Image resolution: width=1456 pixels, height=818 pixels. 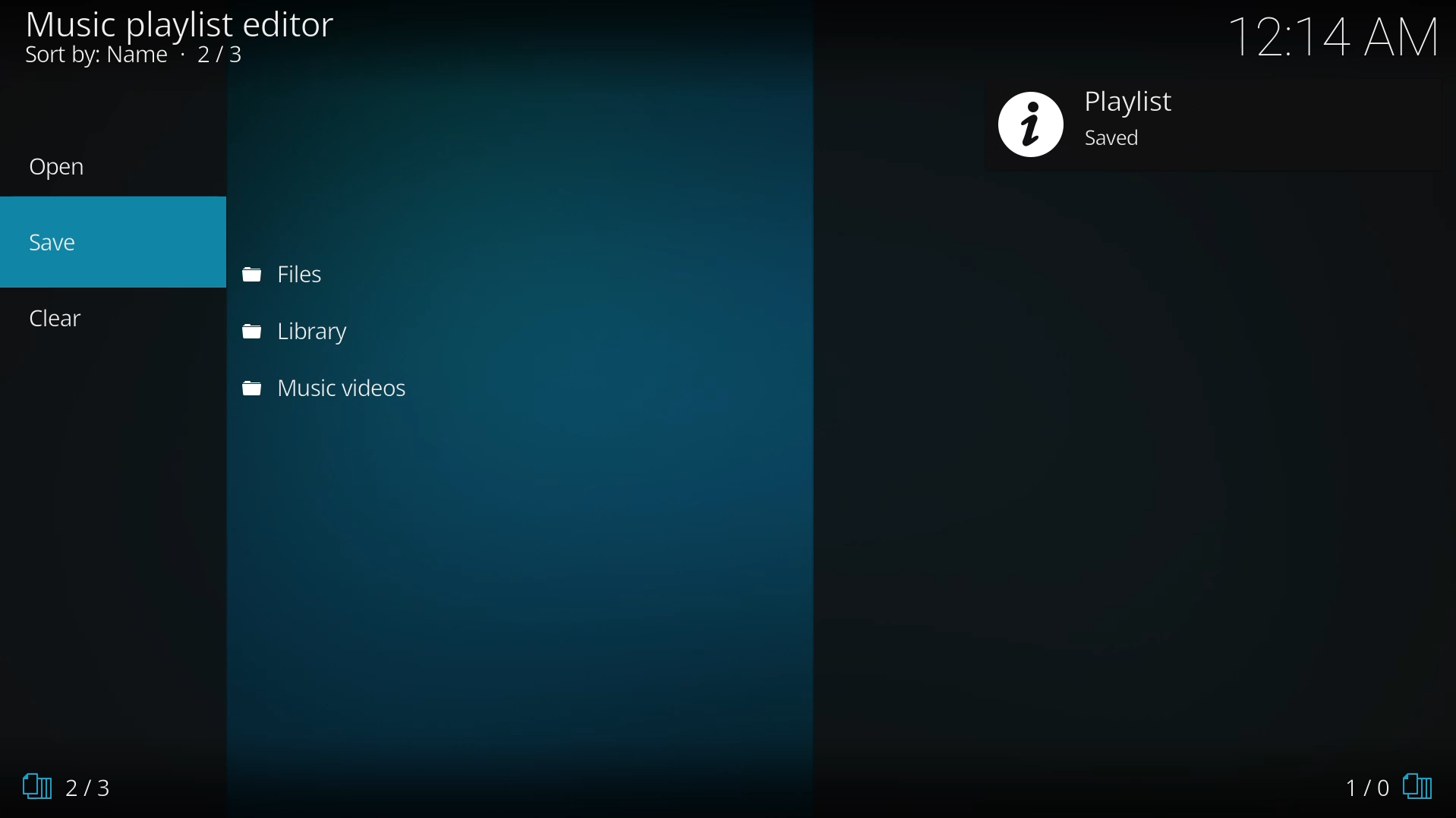 I want to click on time, so click(x=1335, y=34).